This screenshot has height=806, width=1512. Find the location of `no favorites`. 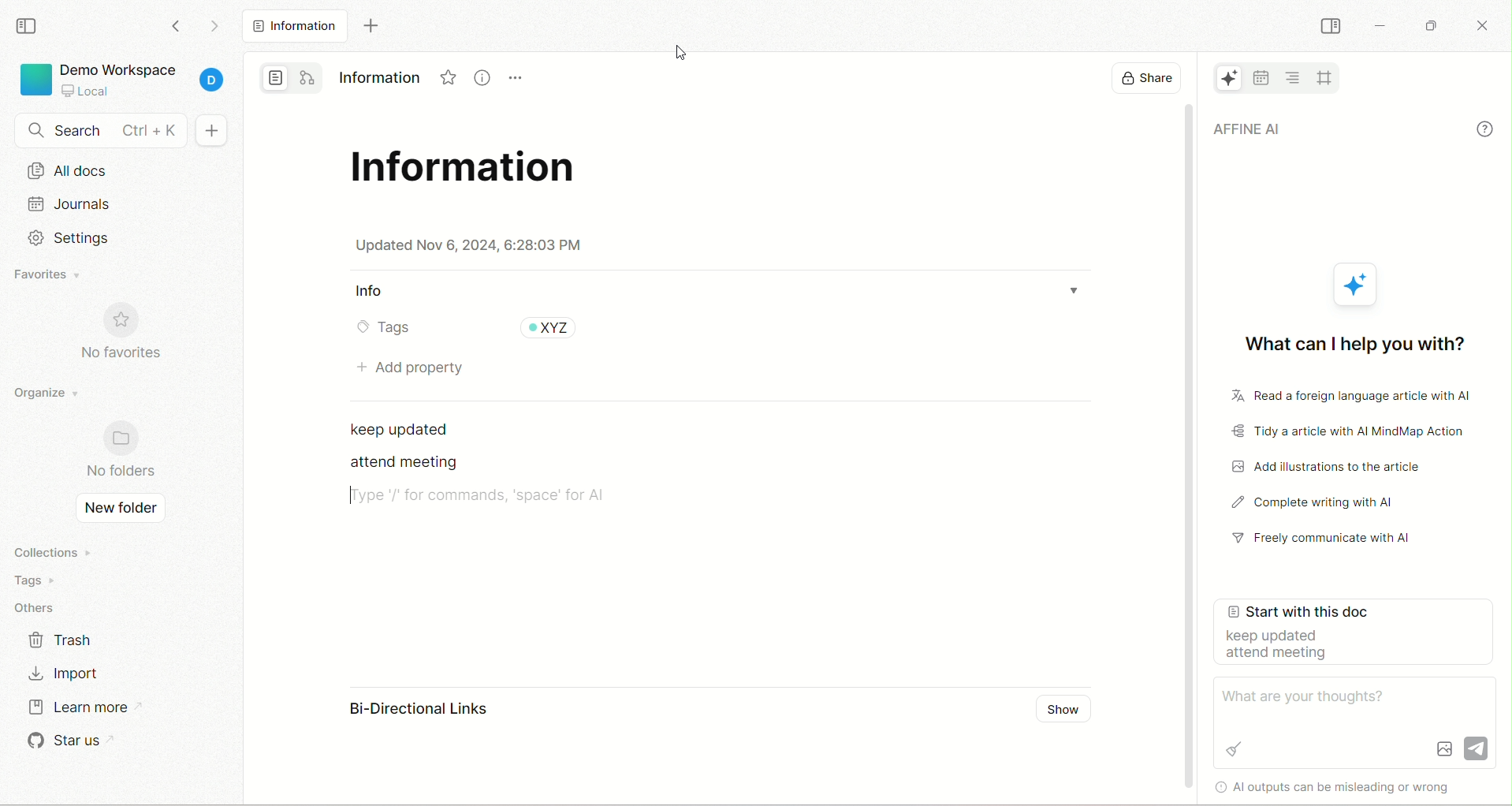

no favorites is located at coordinates (123, 333).